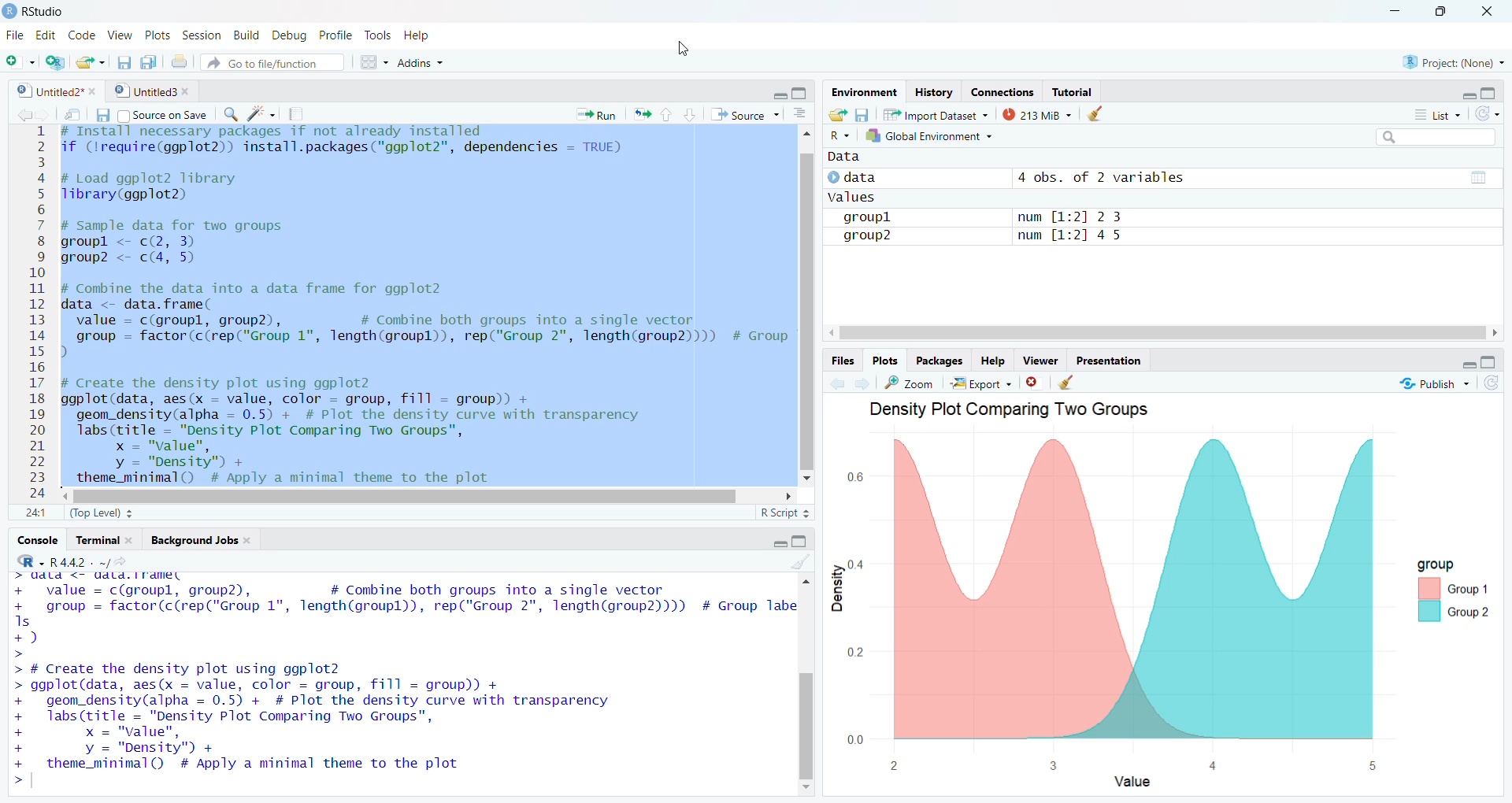  What do you see at coordinates (769, 543) in the screenshot?
I see `minimize` at bounding box center [769, 543].